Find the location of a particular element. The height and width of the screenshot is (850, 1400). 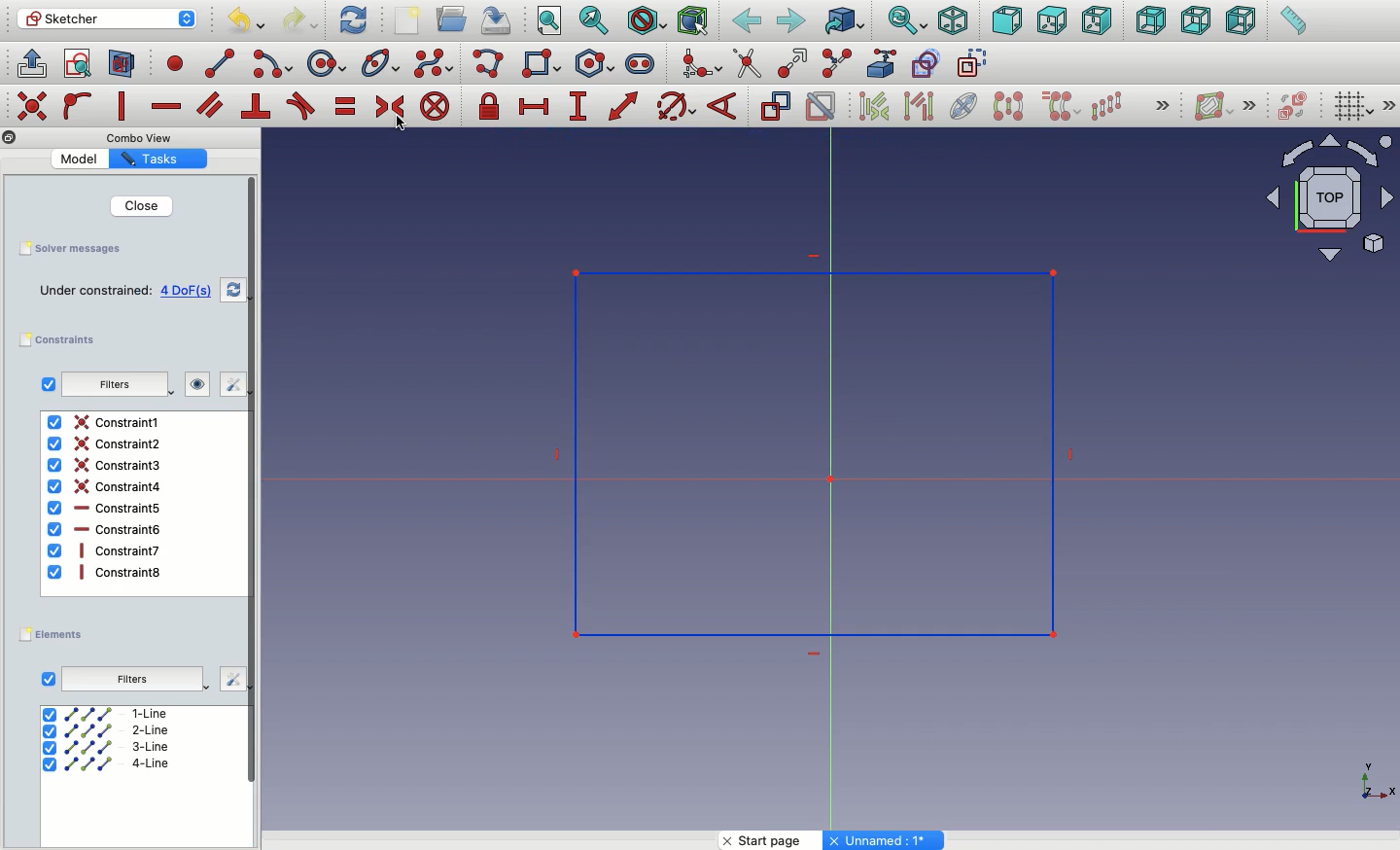

Top is located at coordinates (1051, 21).